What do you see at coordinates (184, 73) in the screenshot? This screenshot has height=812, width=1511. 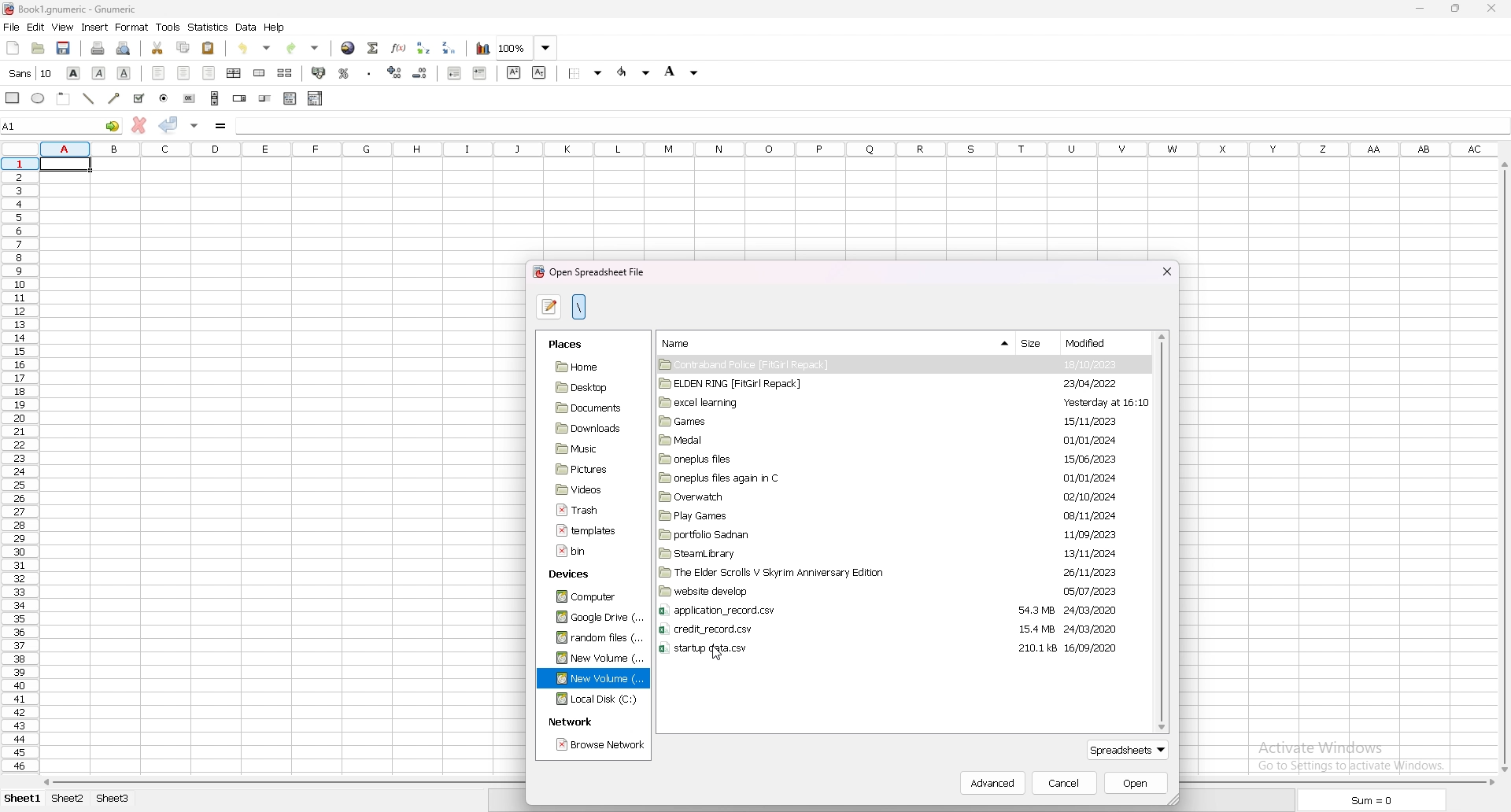 I see `centre` at bounding box center [184, 73].